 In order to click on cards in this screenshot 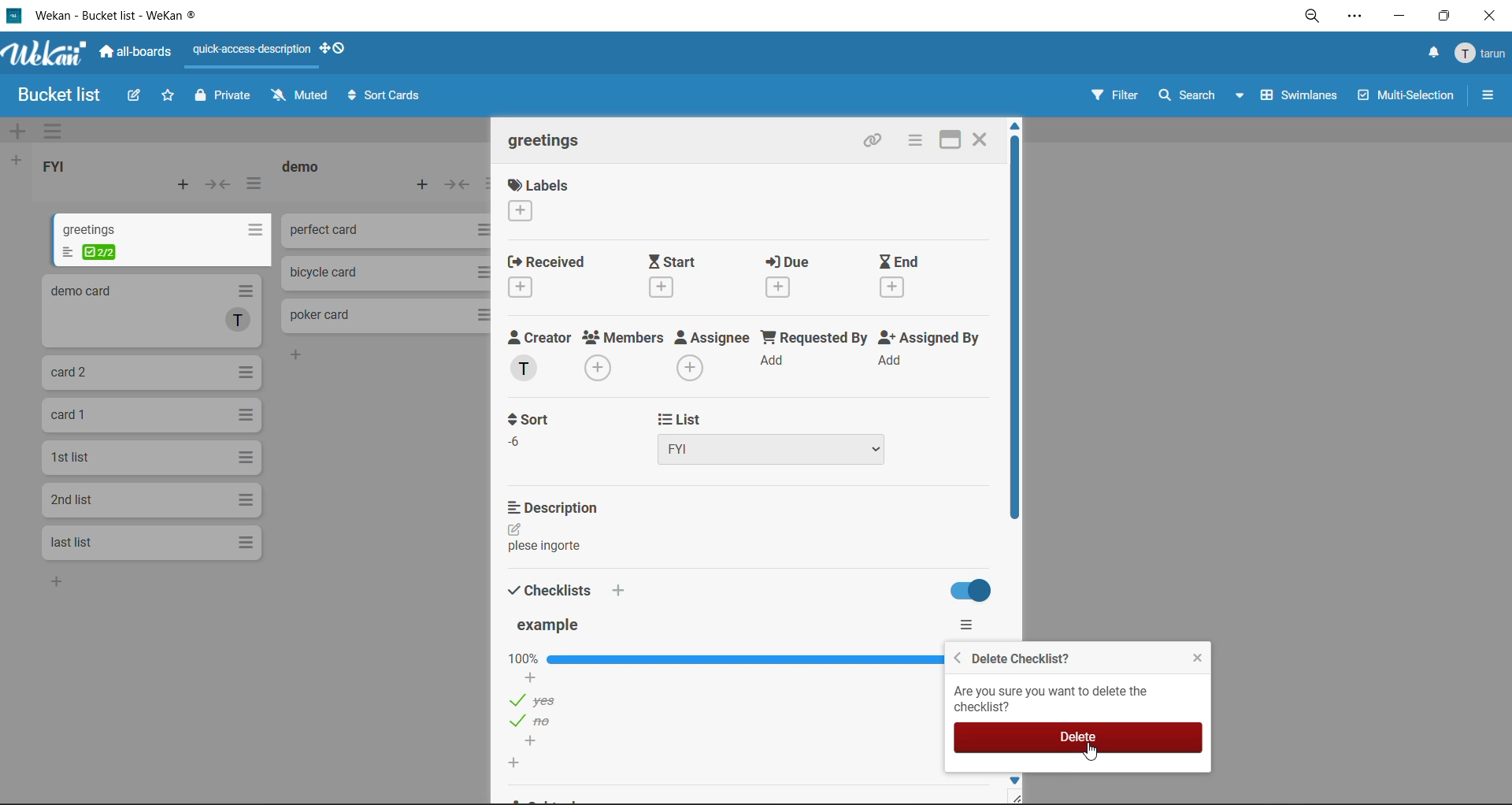, I will do `click(150, 501)`.